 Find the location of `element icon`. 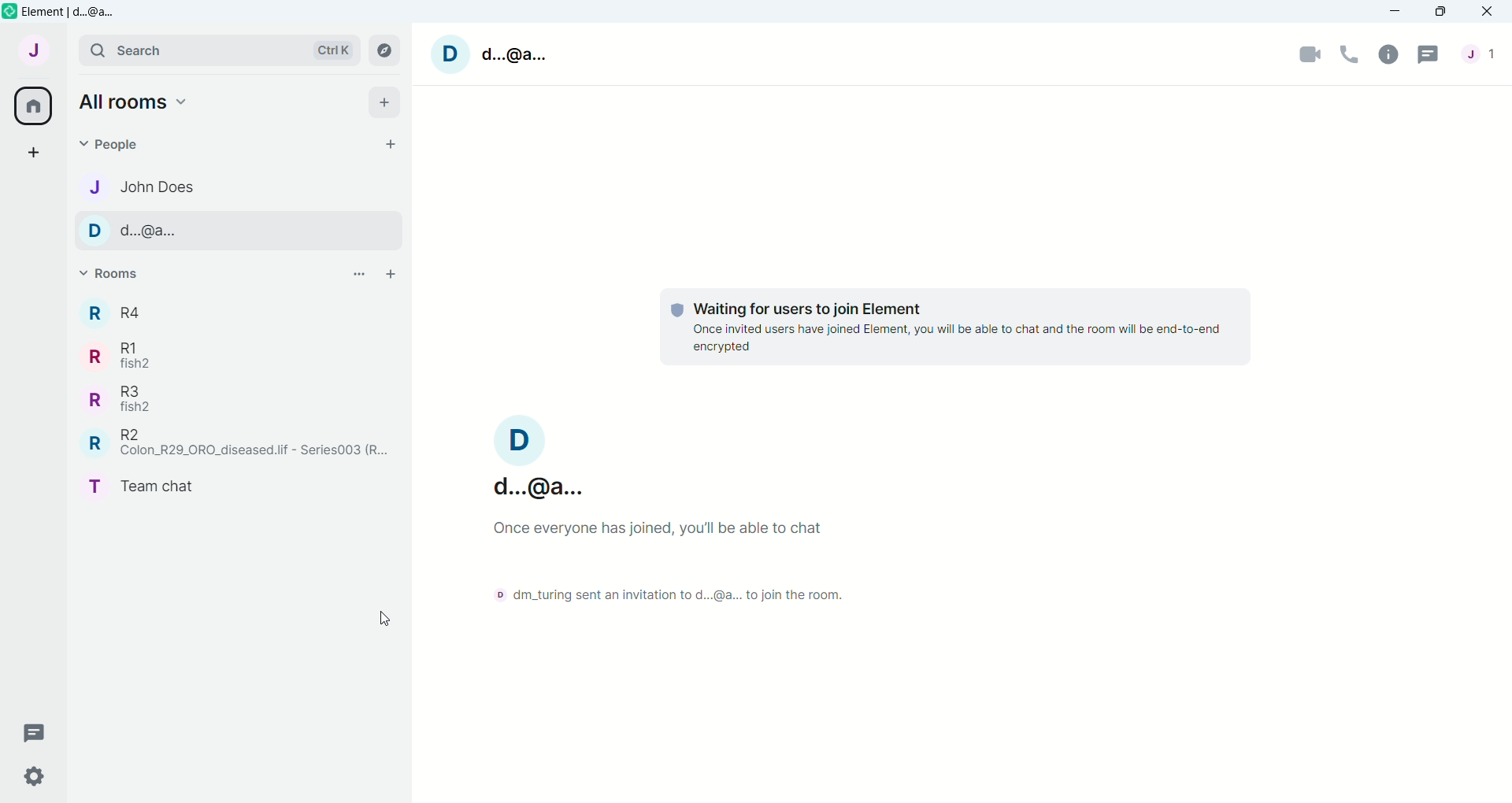

element icon is located at coordinates (9, 11).